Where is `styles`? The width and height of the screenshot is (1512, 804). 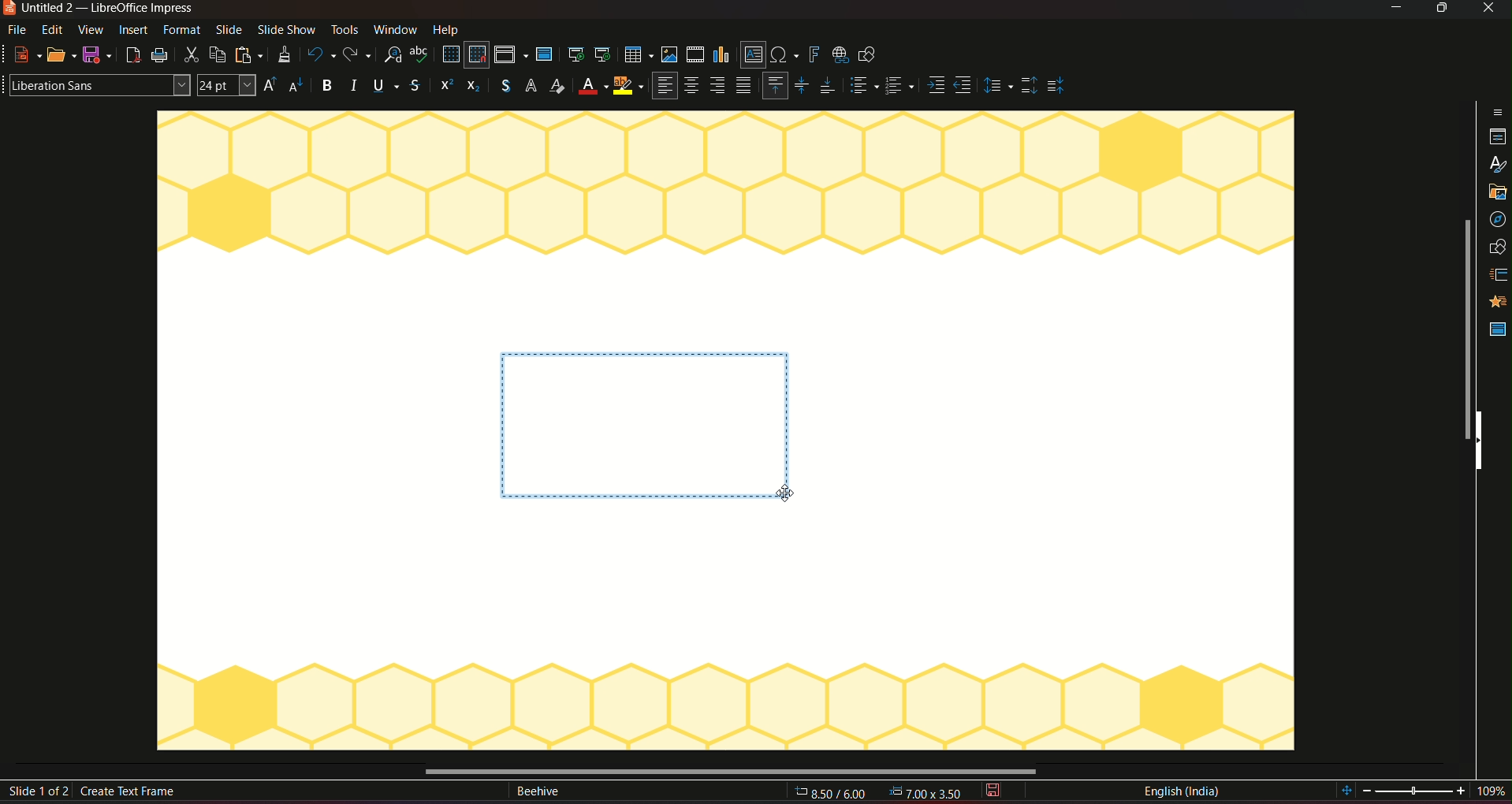 styles is located at coordinates (1496, 134).